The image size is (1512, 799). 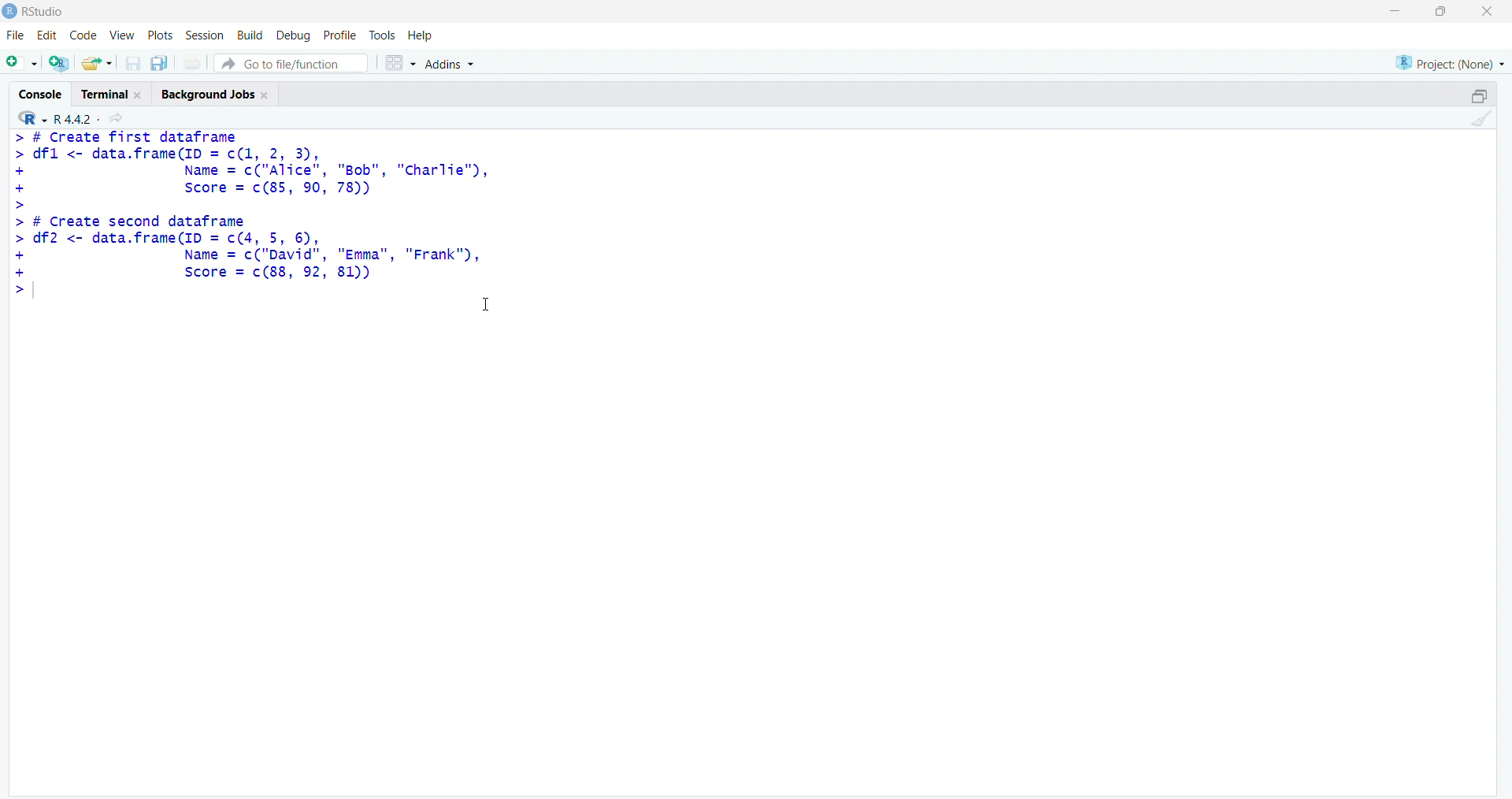 What do you see at coordinates (98, 63) in the screenshot?
I see `open exixting file` at bounding box center [98, 63].